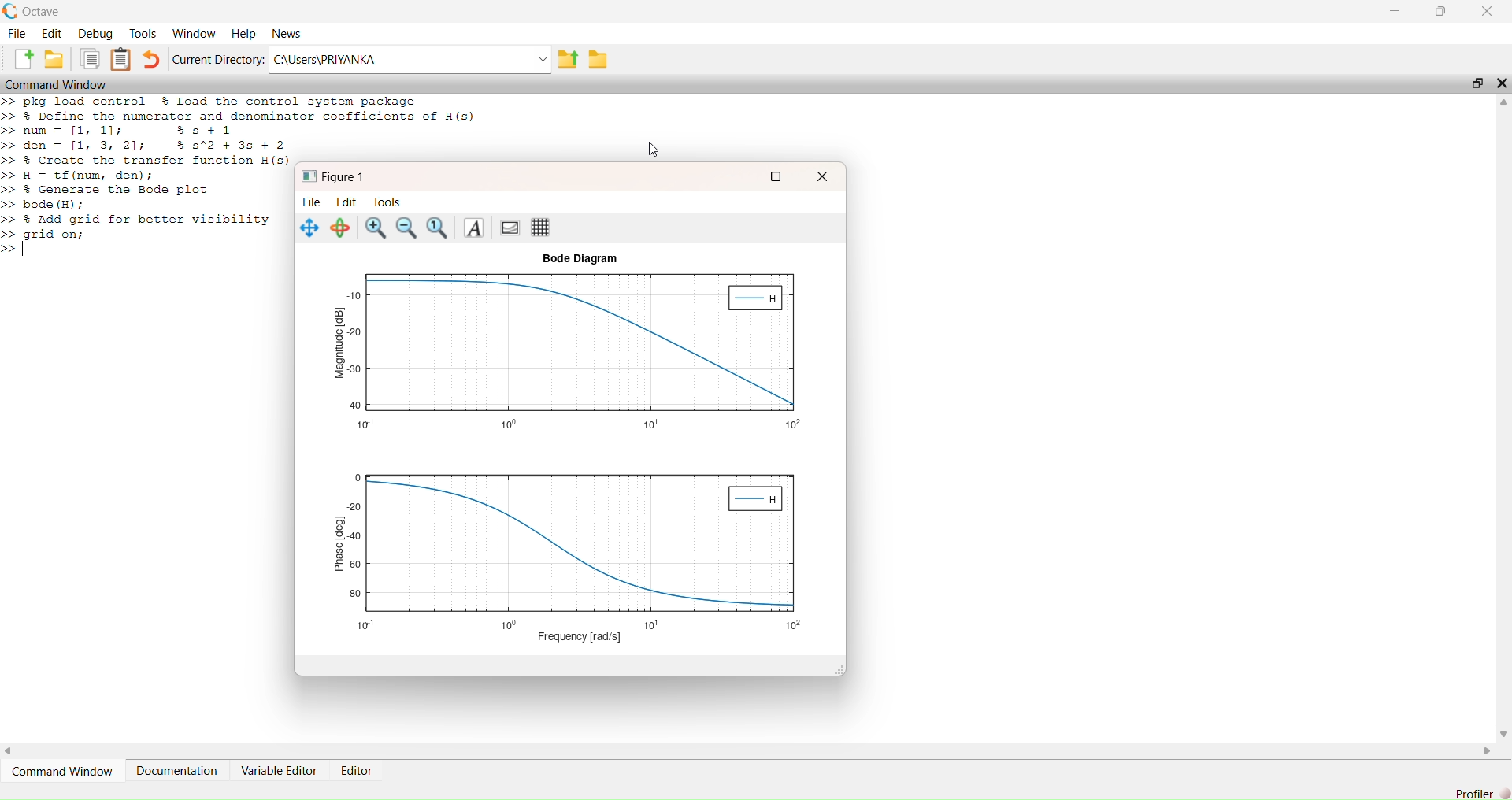 The height and width of the screenshot is (800, 1512). Describe the element at coordinates (401, 60) in the screenshot. I see `C:\Users\PRIYANKA` at that location.